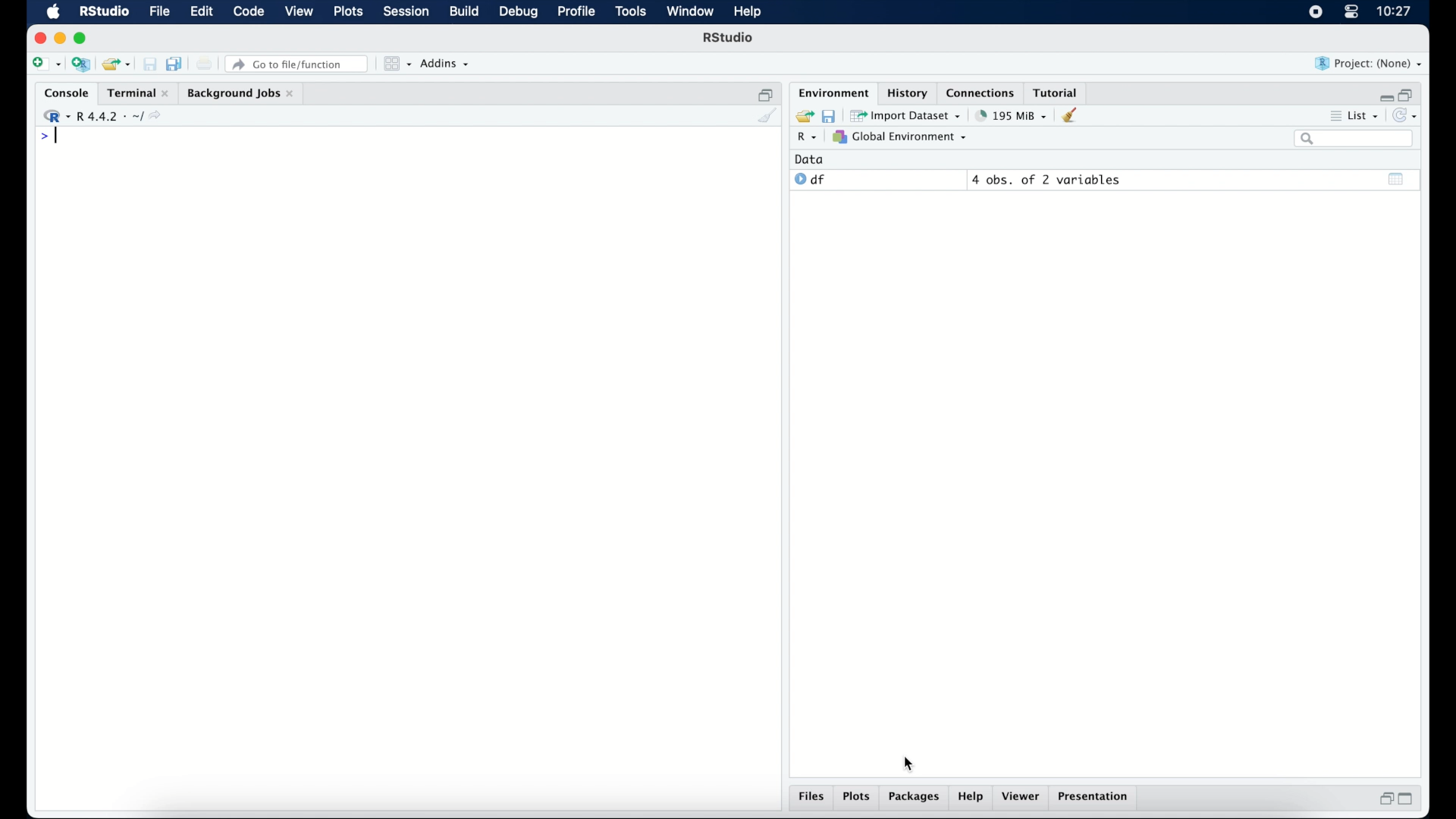 Image resolution: width=1456 pixels, height=819 pixels. What do you see at coordinates (133, 93) in the screenshot?
I see `Terminal` at bounding box center [133, 93].